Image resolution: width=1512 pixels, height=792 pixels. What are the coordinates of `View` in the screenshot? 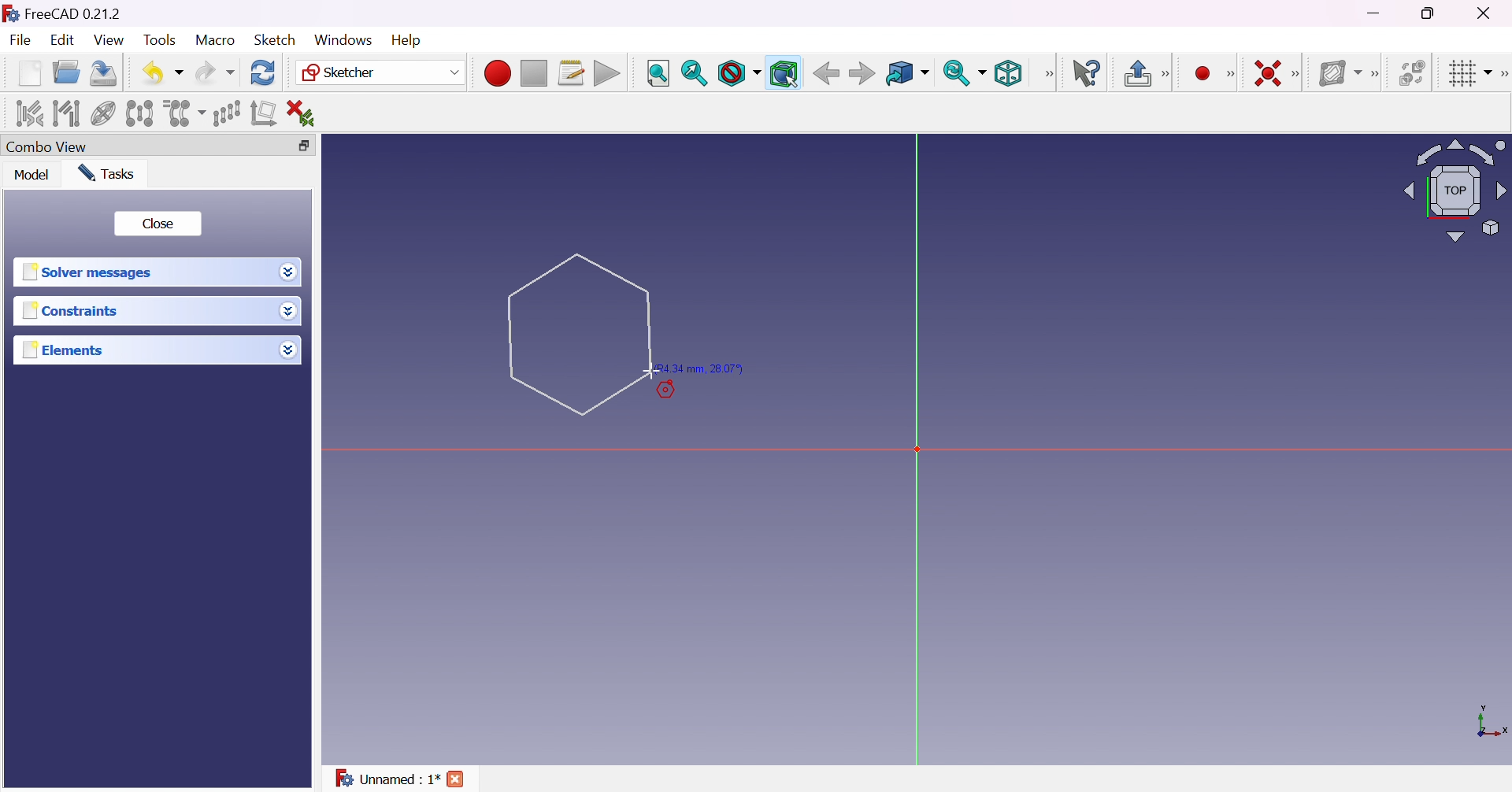 It's located at (109, 40).